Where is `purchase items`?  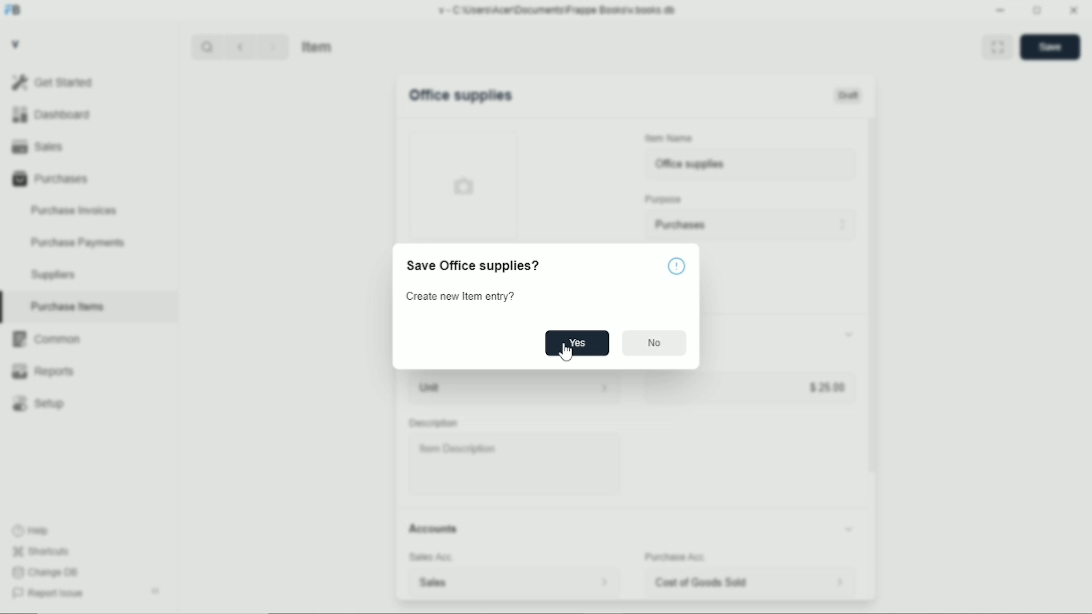 purchase items is located at coordinates (67, 307).